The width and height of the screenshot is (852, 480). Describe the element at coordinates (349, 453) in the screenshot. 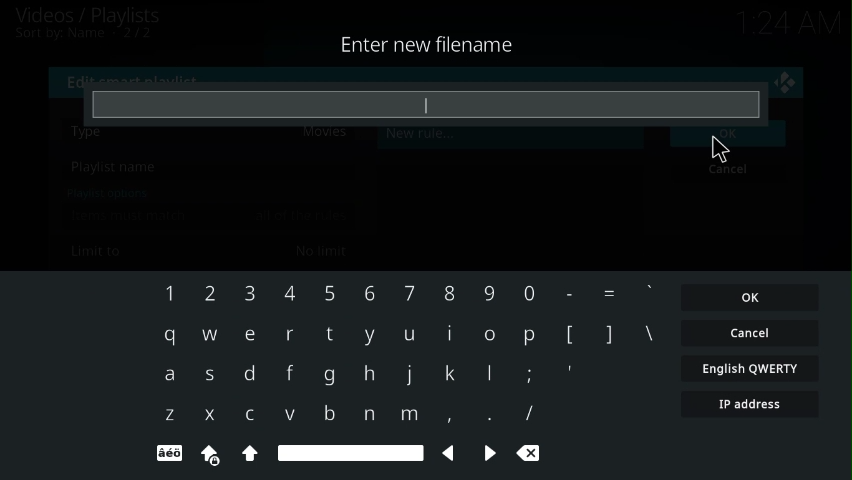

I see `space` at that location.